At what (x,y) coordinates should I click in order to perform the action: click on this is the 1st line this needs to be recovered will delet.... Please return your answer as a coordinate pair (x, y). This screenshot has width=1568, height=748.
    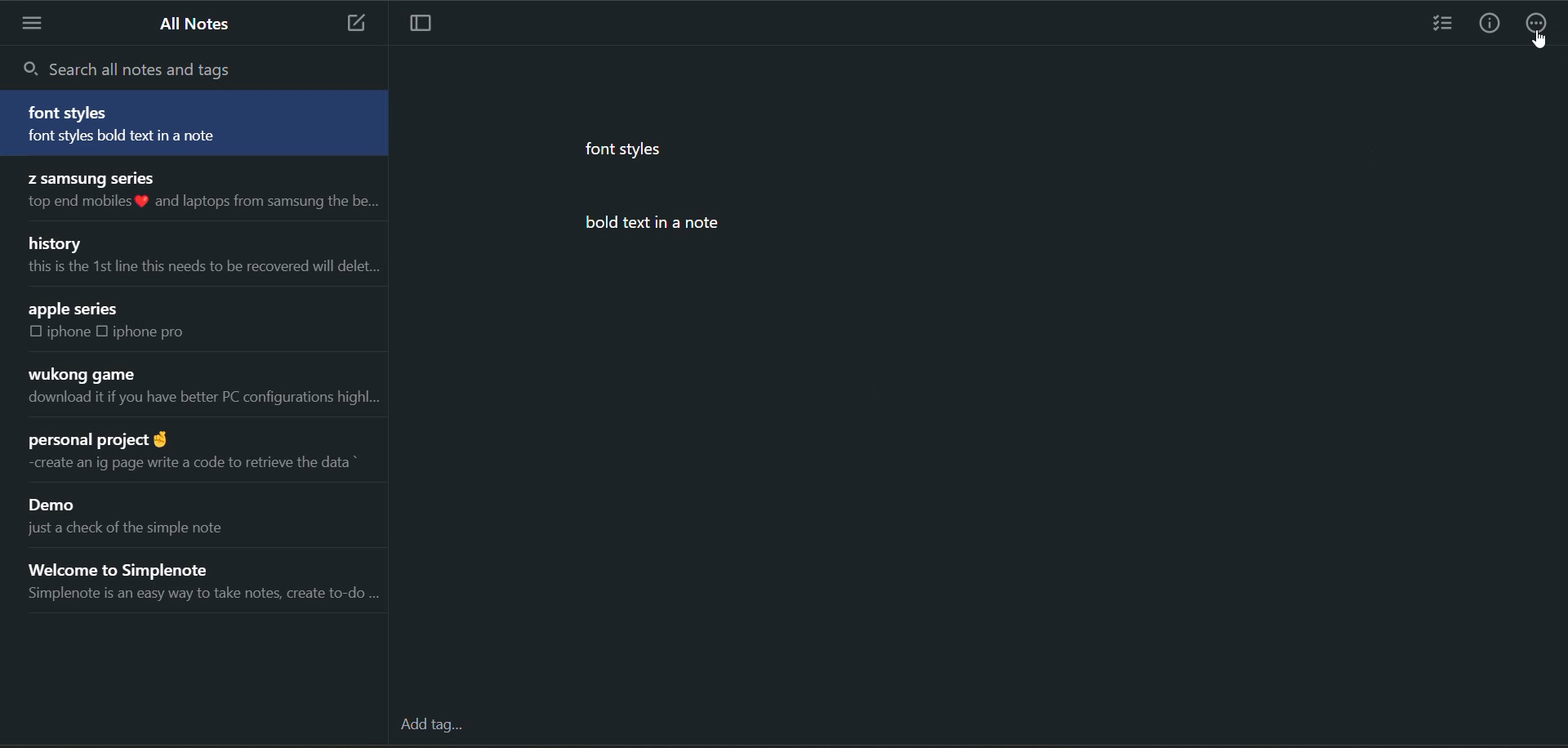
    Looking at the image, I should click on (200, 267).